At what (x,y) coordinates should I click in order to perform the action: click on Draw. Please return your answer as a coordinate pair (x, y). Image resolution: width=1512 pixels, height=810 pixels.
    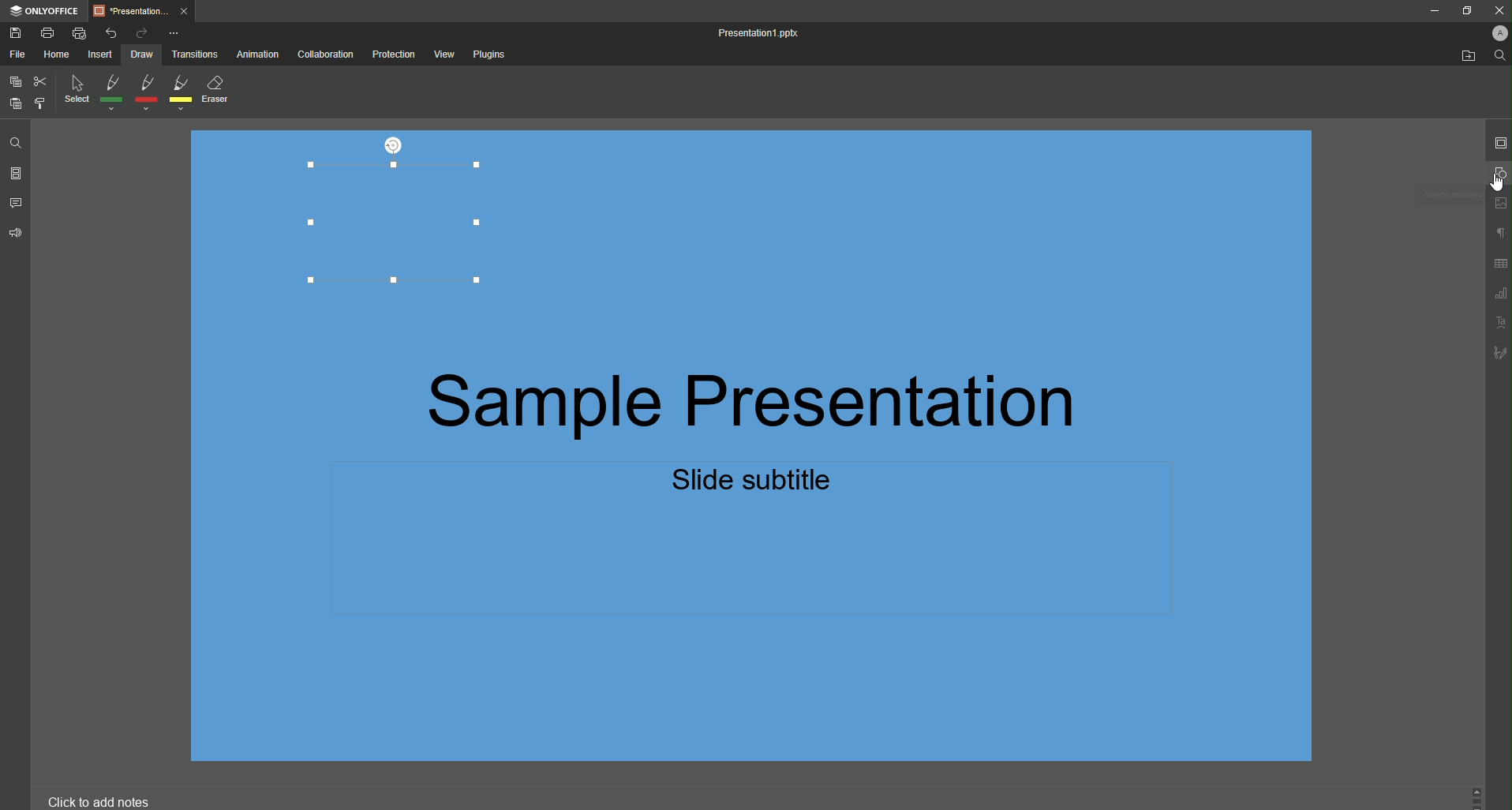
    Looking at the image, I should click on (141, 56).